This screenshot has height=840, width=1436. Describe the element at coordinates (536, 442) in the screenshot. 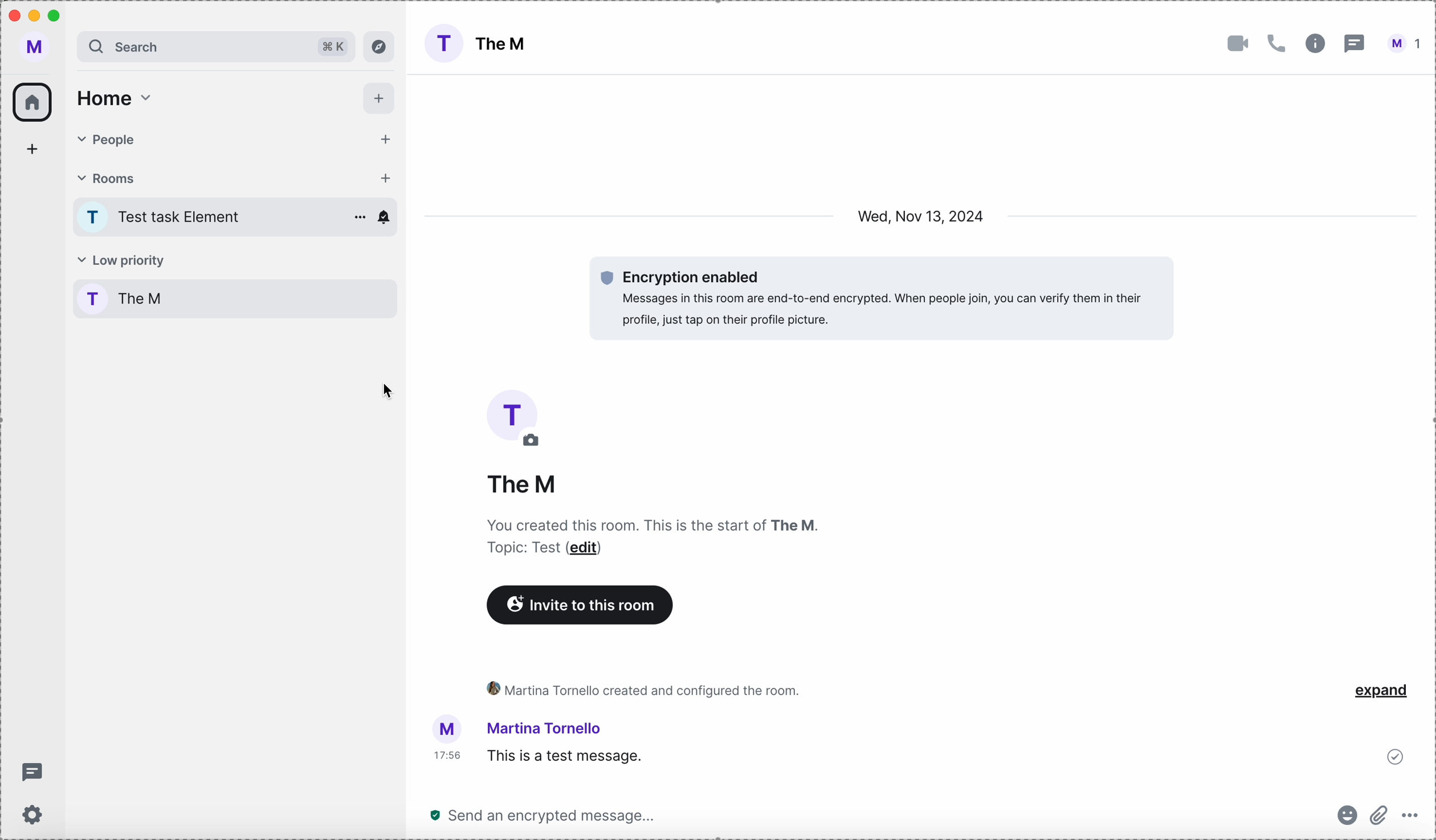

I see `edit` at that location.